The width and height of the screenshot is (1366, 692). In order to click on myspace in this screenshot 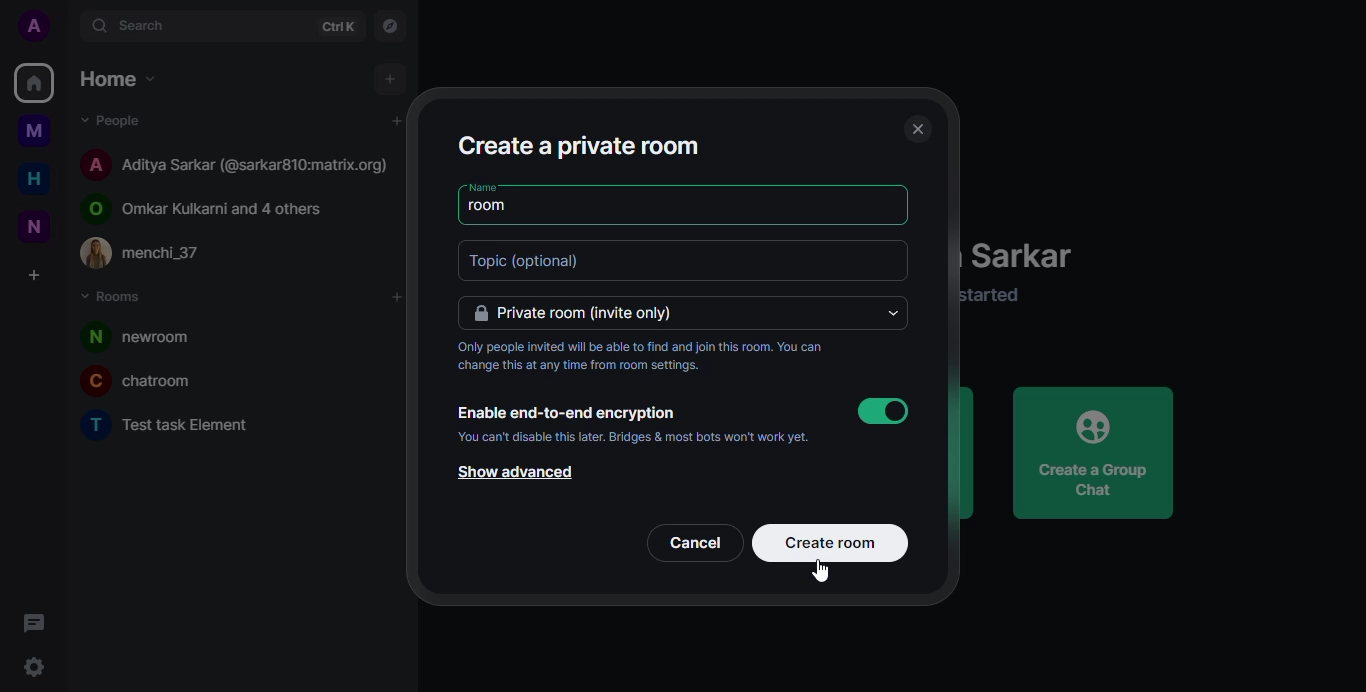, I will do `click(35, 131)`.